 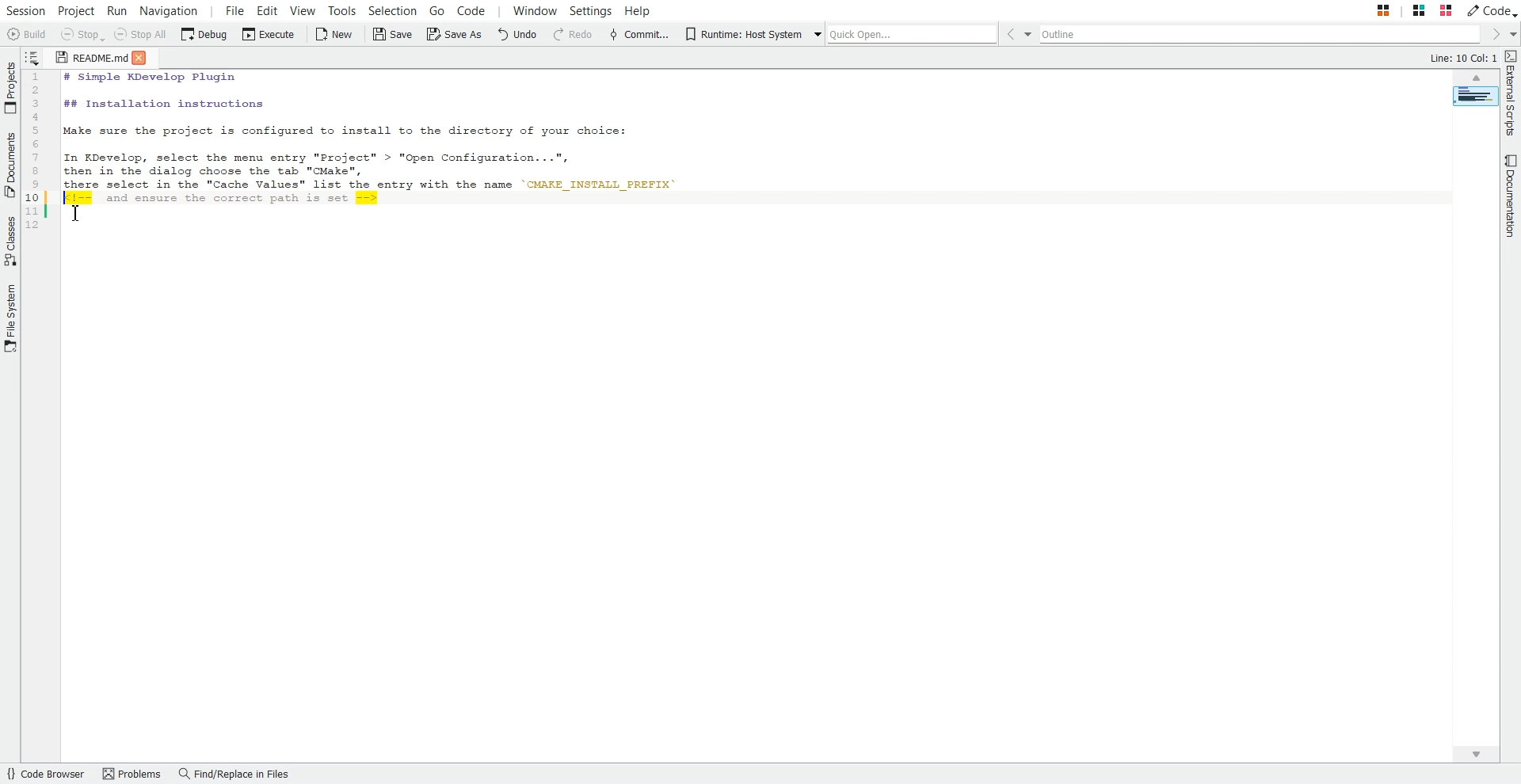 What do you see at coordinates (10, 319) in the screenshot?
I see `File System` at bounding box center [10, 319].